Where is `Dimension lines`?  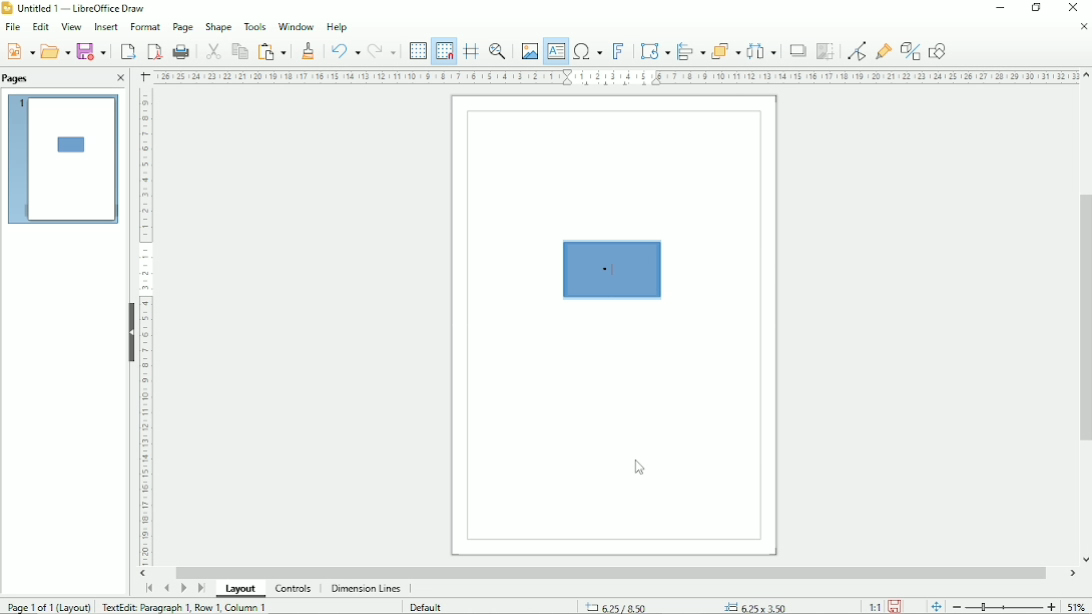
Dimension lines is located at coordinates (365, 588).